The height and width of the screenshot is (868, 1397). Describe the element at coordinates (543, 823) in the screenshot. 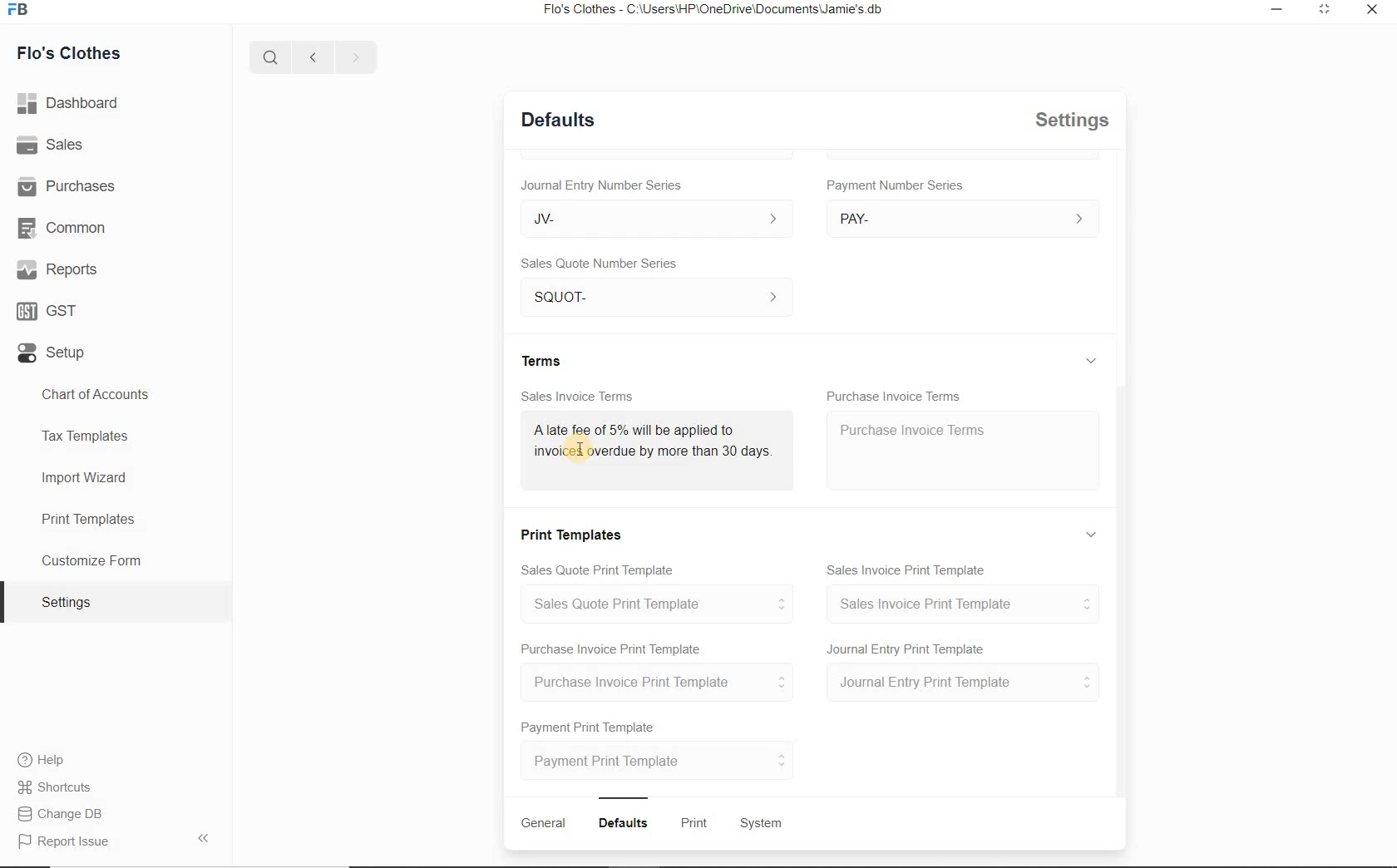

I see `General` at that location.